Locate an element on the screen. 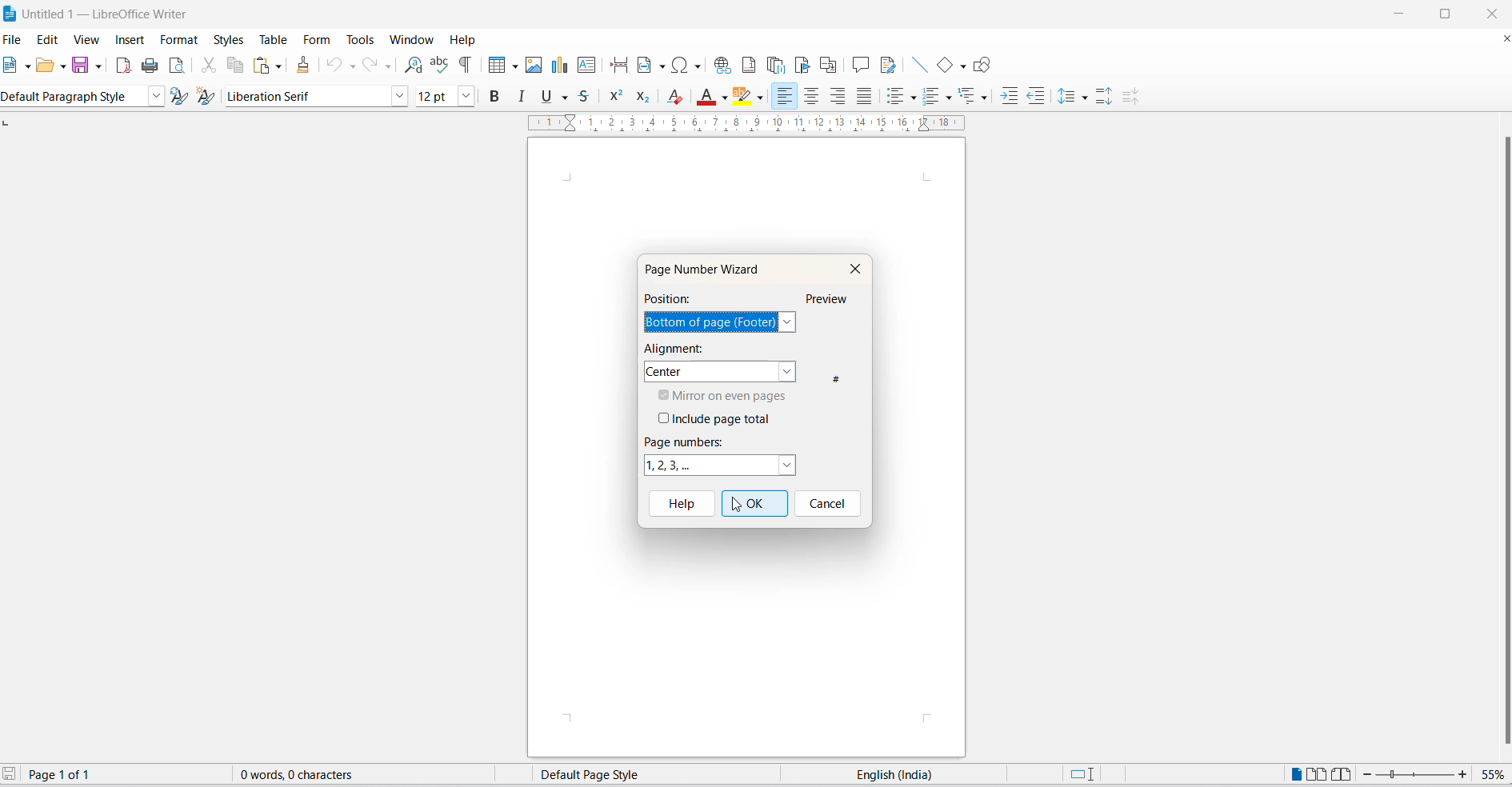 This screenshot has height=787, width=1512. toggle ordered list is located at coordinates (934, 95).